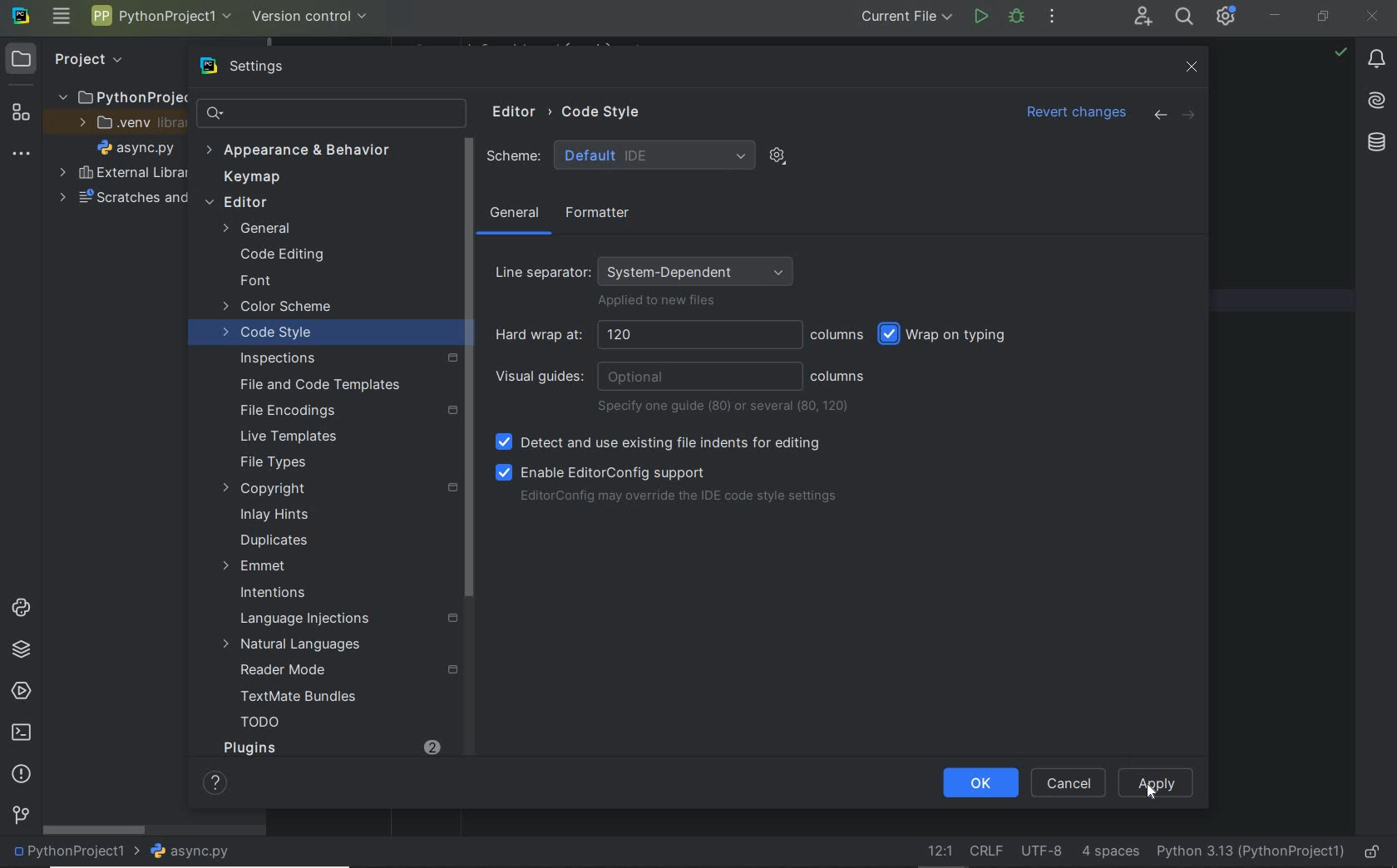  Describe the element at coordinates (162, 16) in the screenshot. I see `project name` at that location.